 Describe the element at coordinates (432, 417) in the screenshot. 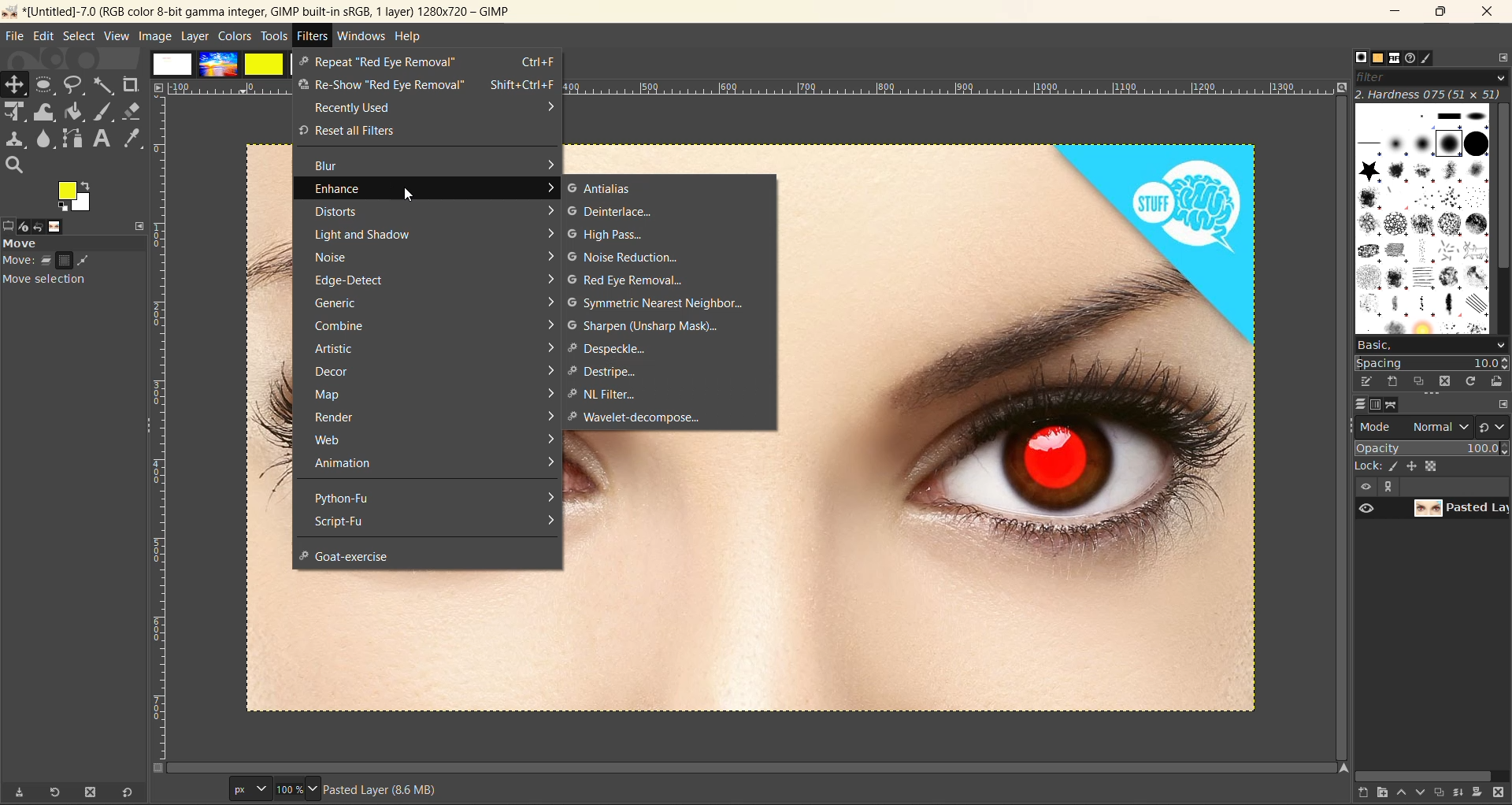

I see `render` at that location.